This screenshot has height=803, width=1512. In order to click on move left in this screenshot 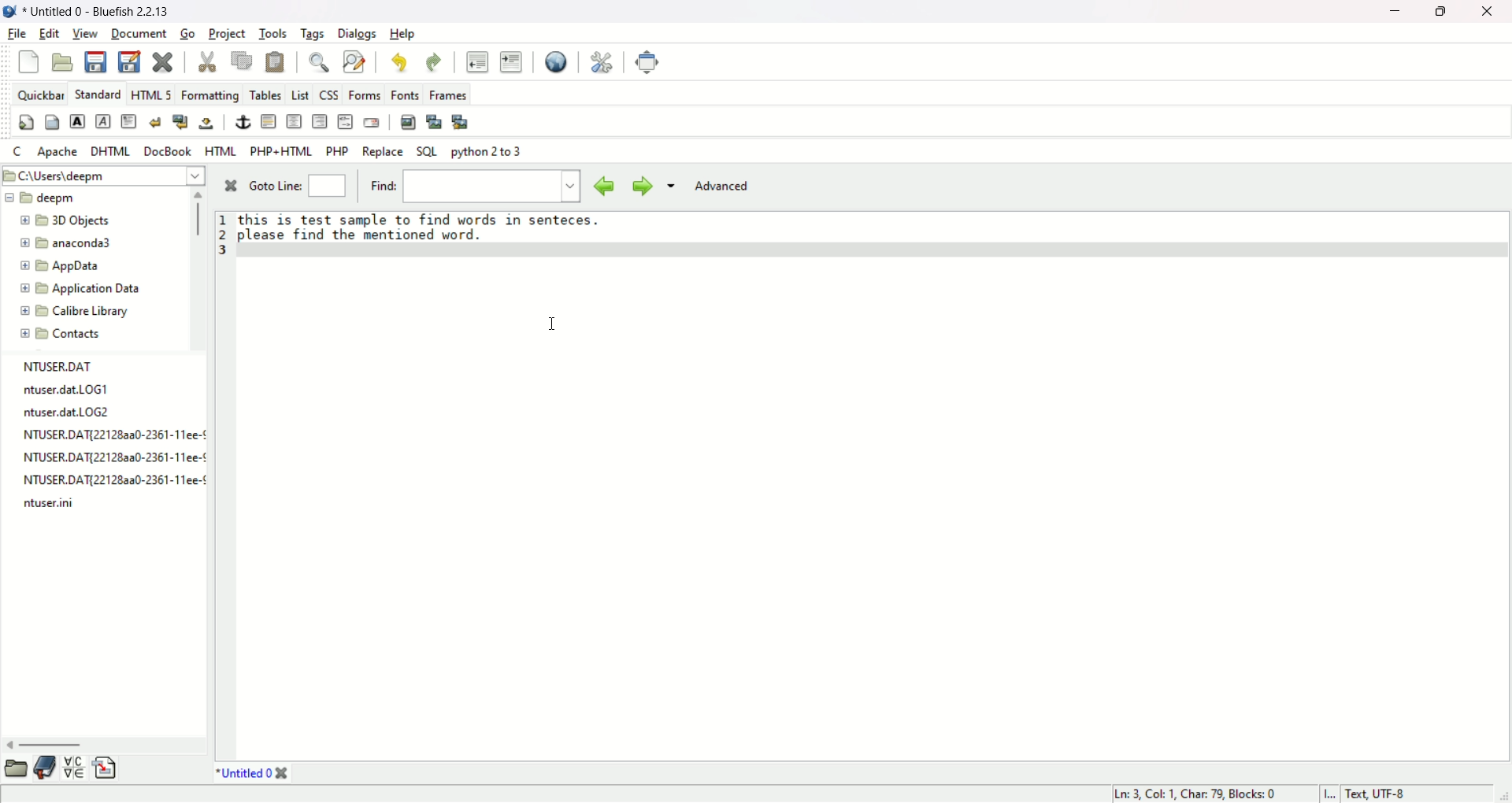, I will do `click(9, 745)`.